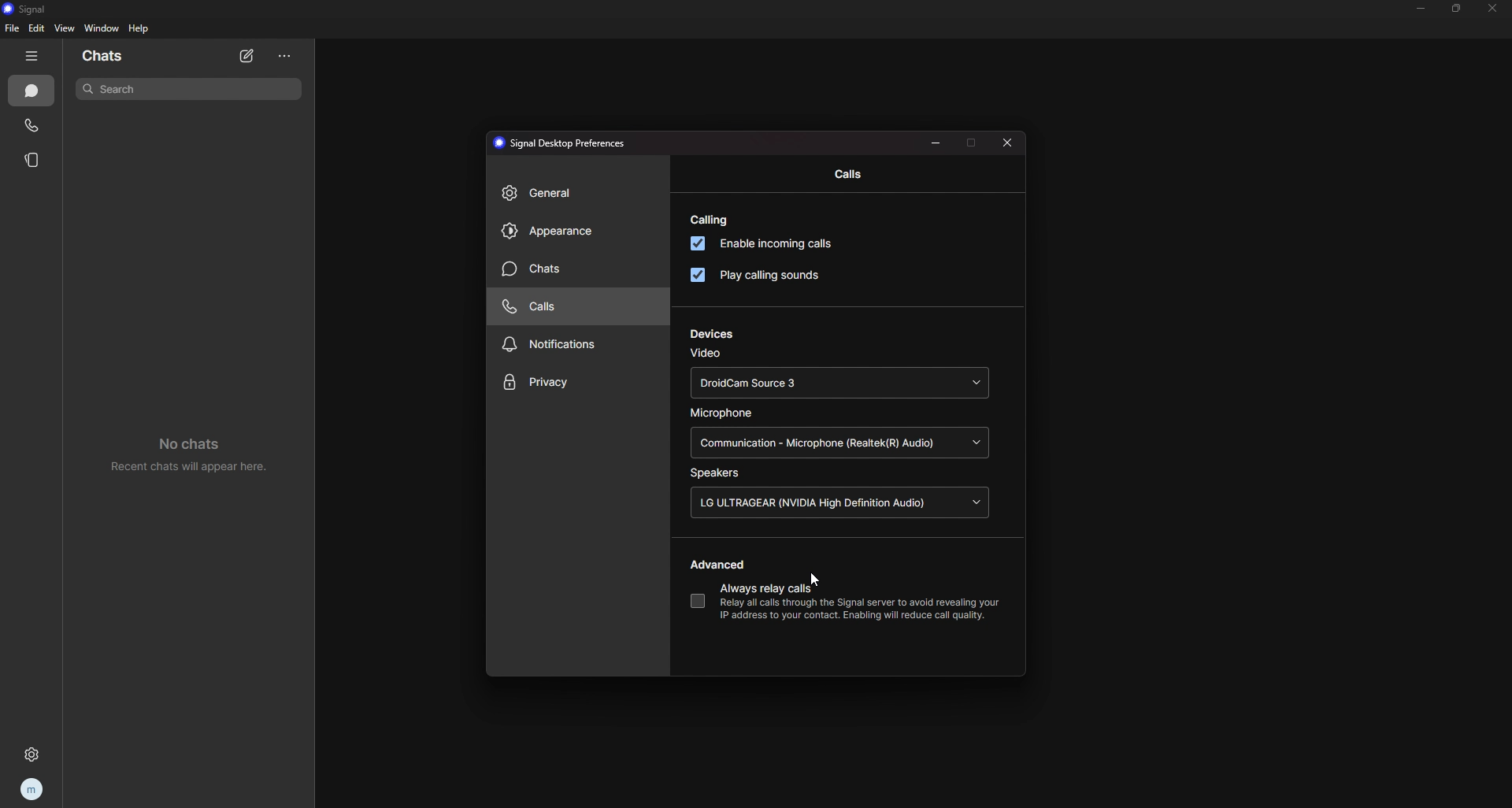  I want to click on chats, so click(579, 269).